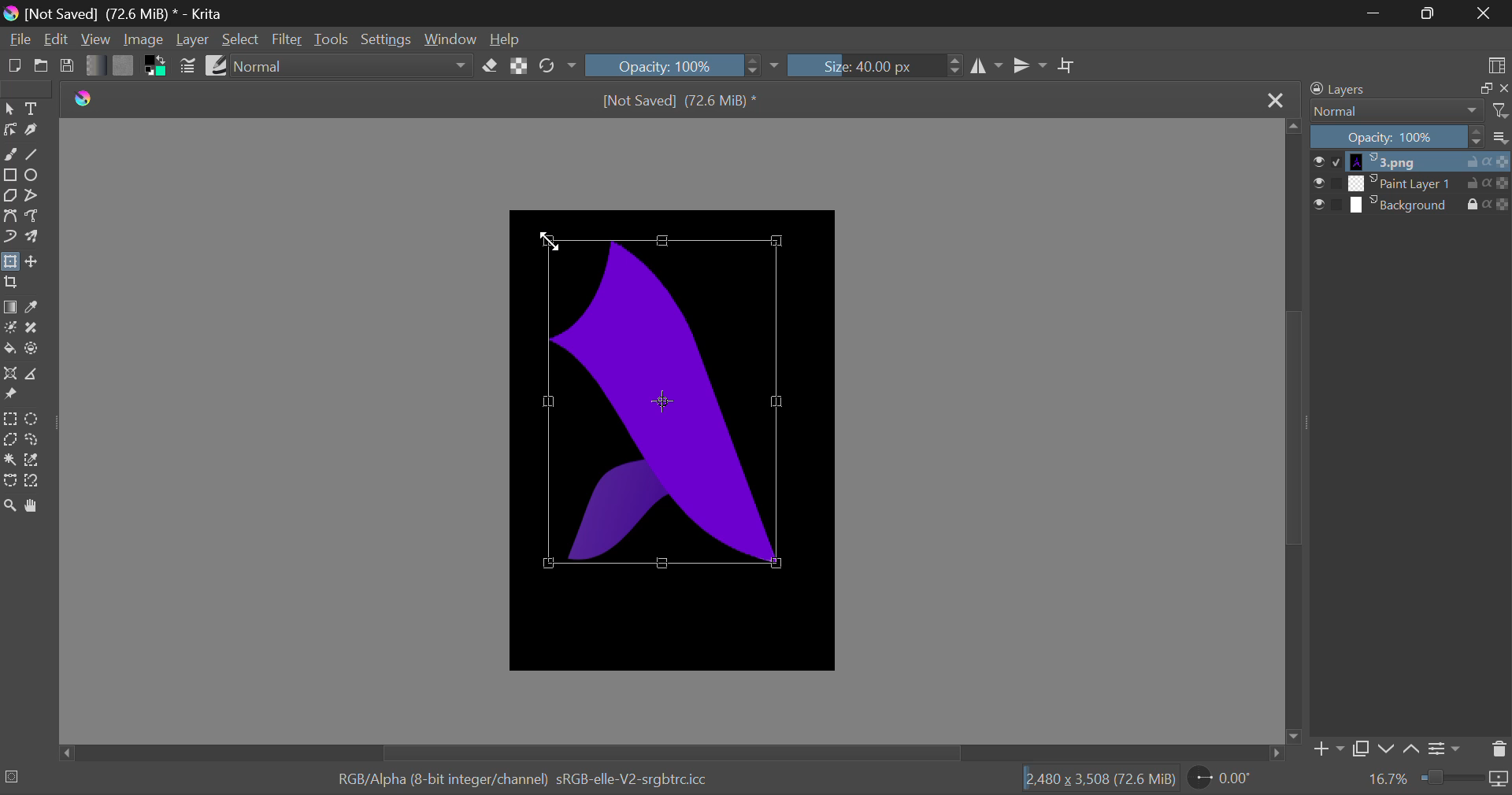  What do you see at coordinates (1328, 749) in the screenshot?
I see `Add Layer` at bounding box center [1328, 749].